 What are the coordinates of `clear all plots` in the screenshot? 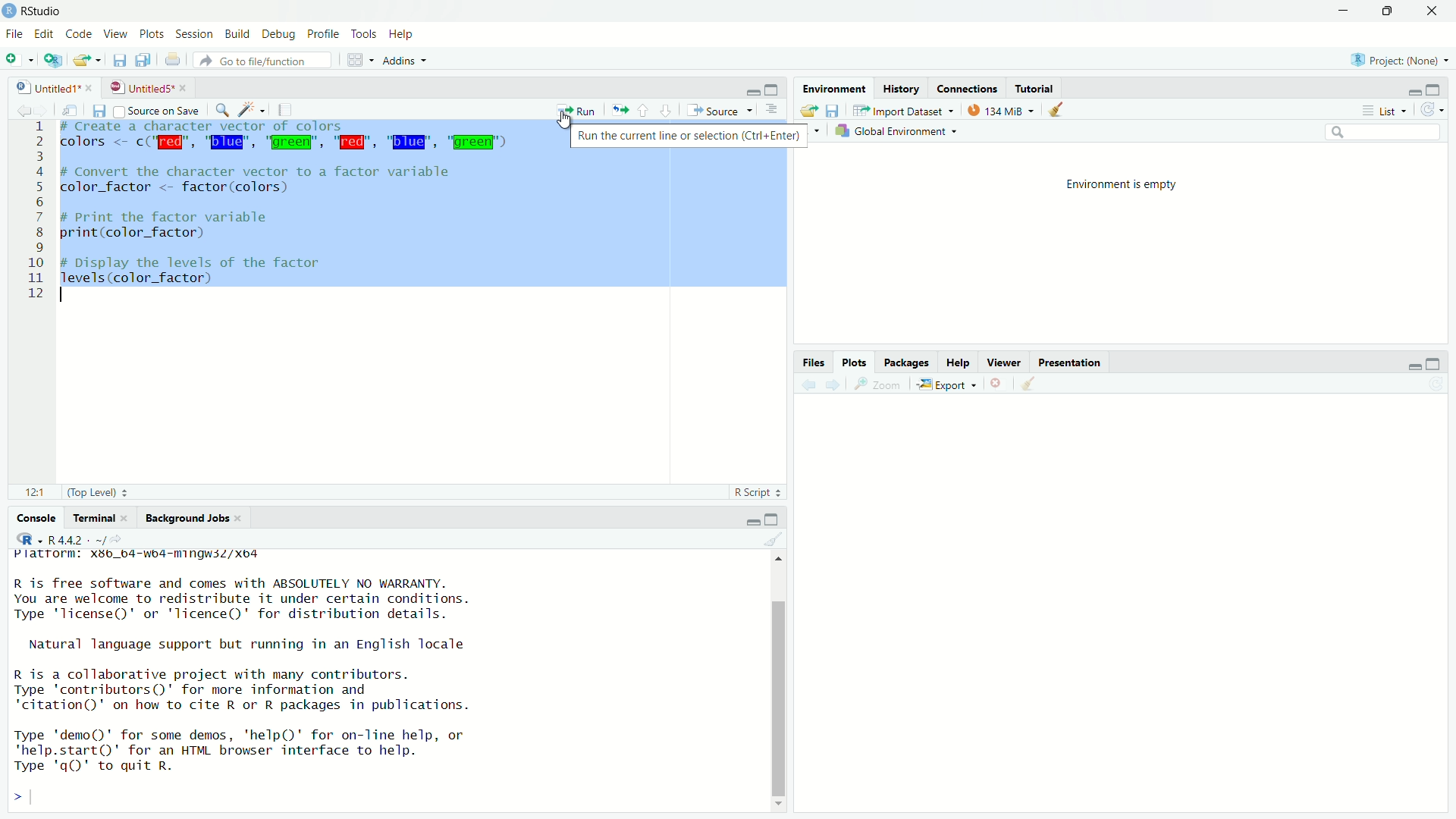 It's located at (1028, 384).